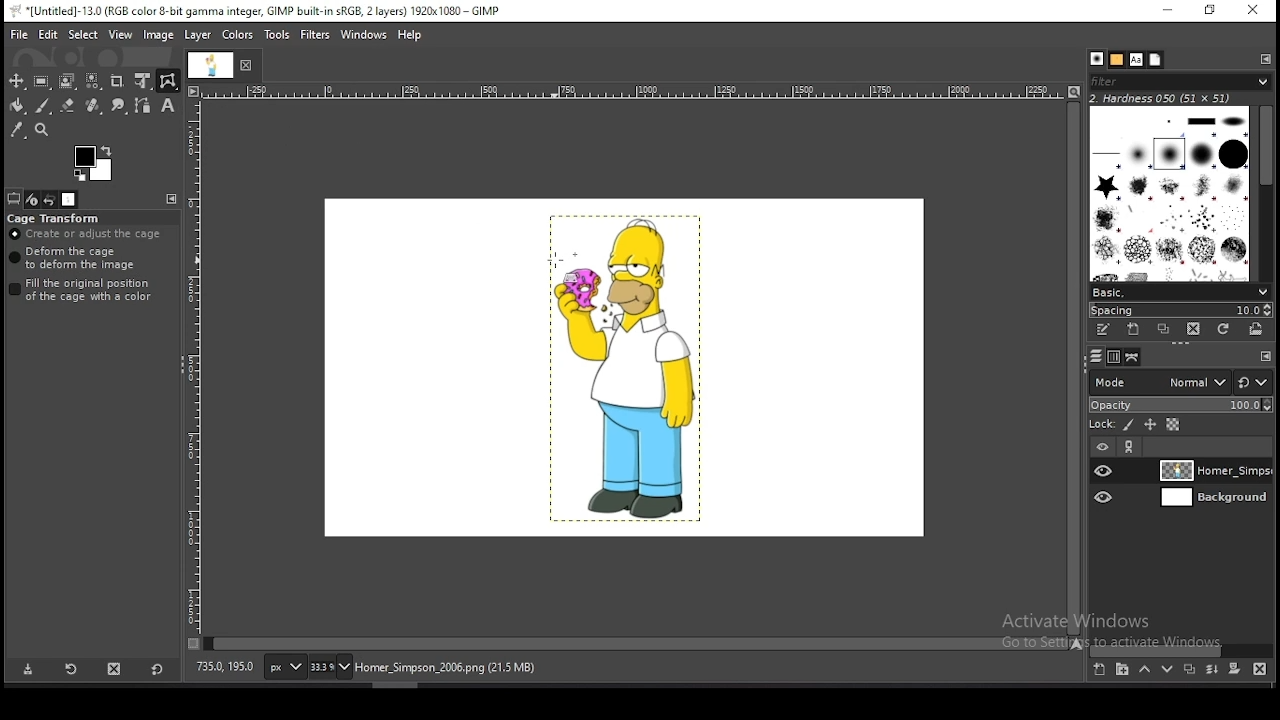 The width and height of the screenshot is (1280, 720). I want to click on eraser tool, so click(68, 106).